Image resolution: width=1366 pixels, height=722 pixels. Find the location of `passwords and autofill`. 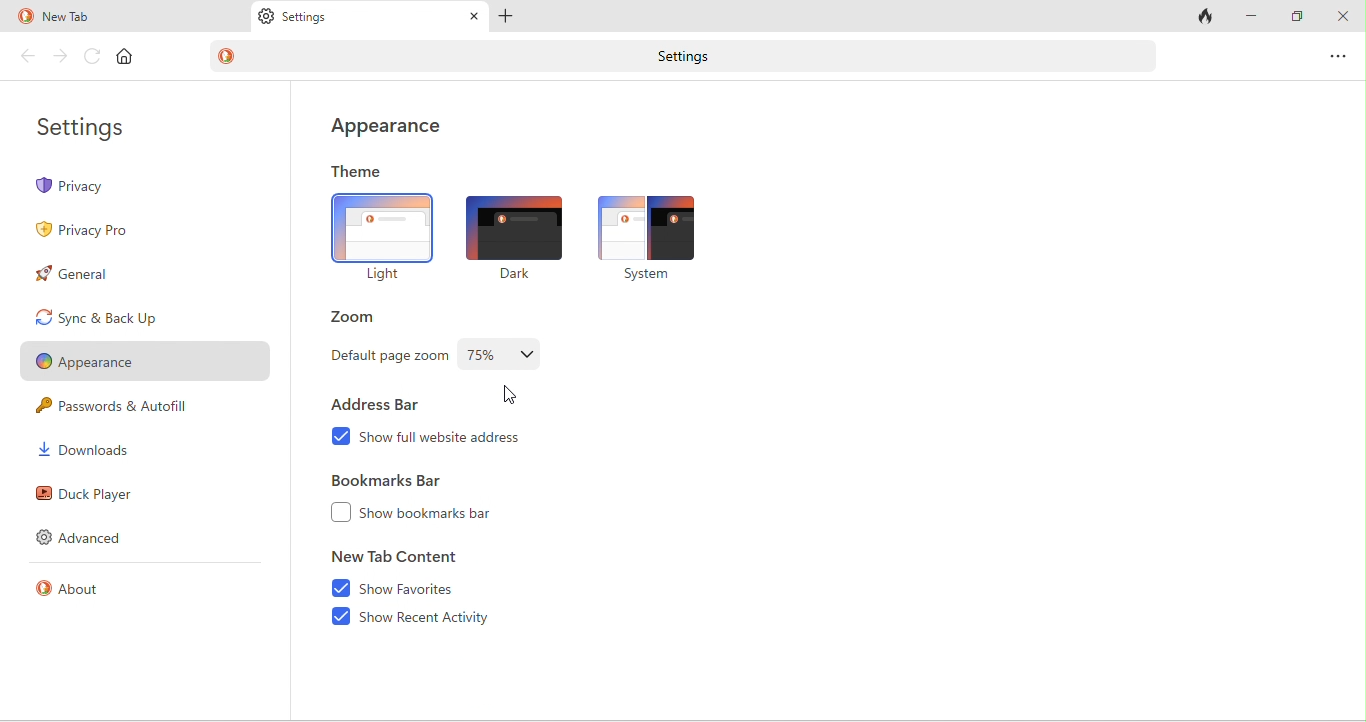

passwords and autofill is located at coordinates (128, 409).